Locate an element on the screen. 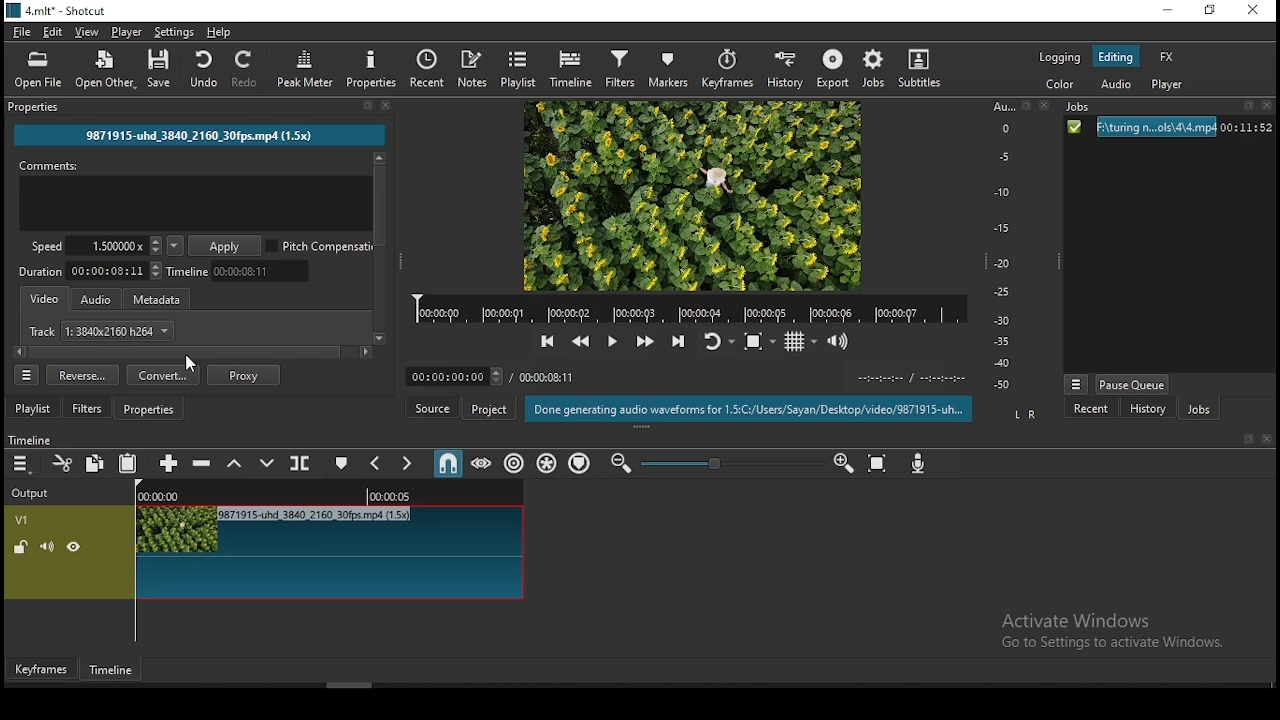 The width and height of the screenshot is (1280, 720). Done generating audio waveforms for 1.5:C:/Users/Sayan/Desktop/video/9871915-uh... is located at coordinates (750, 409).